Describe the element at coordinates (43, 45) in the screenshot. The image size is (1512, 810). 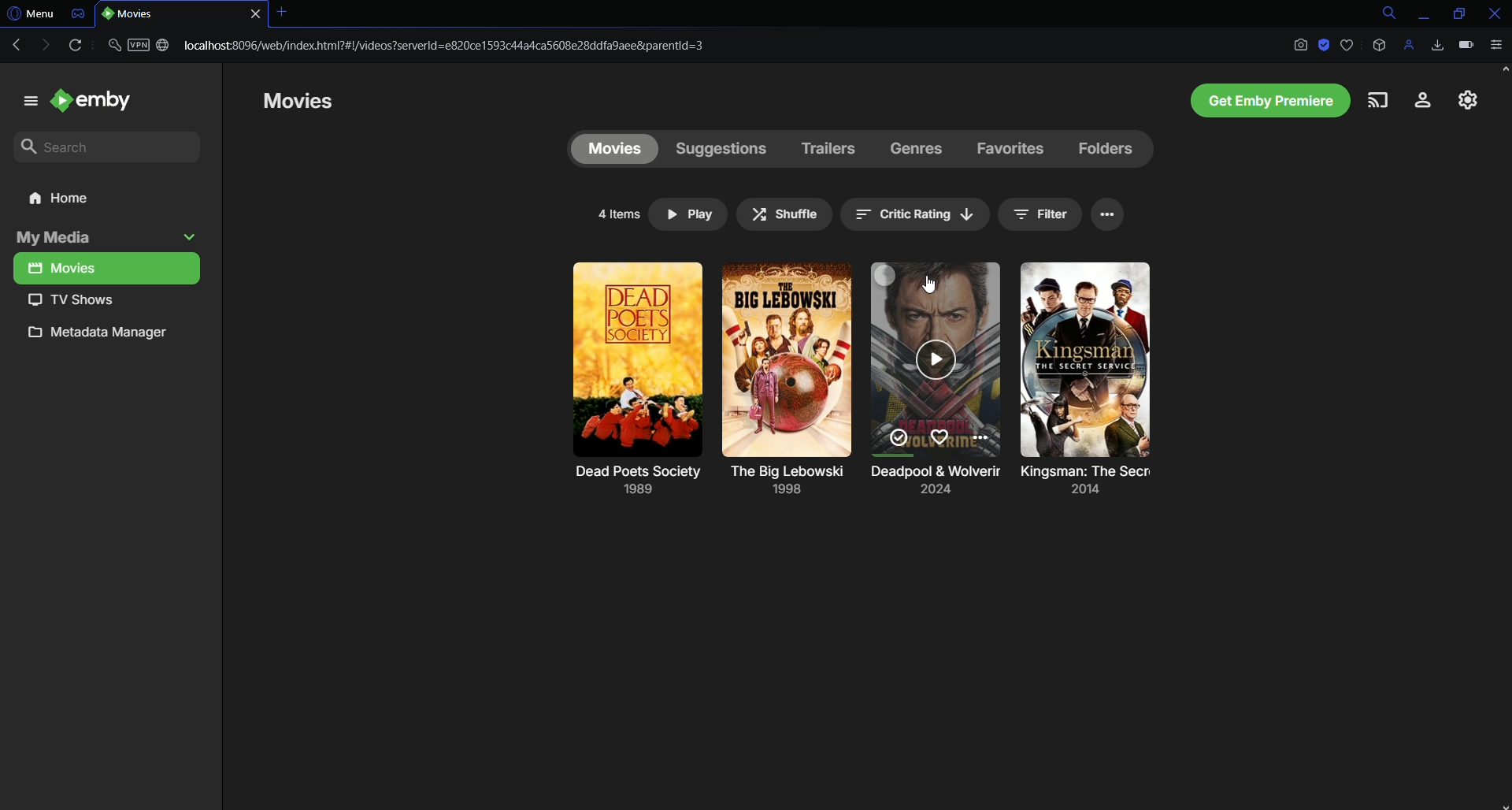
I see `Forward` at that location.